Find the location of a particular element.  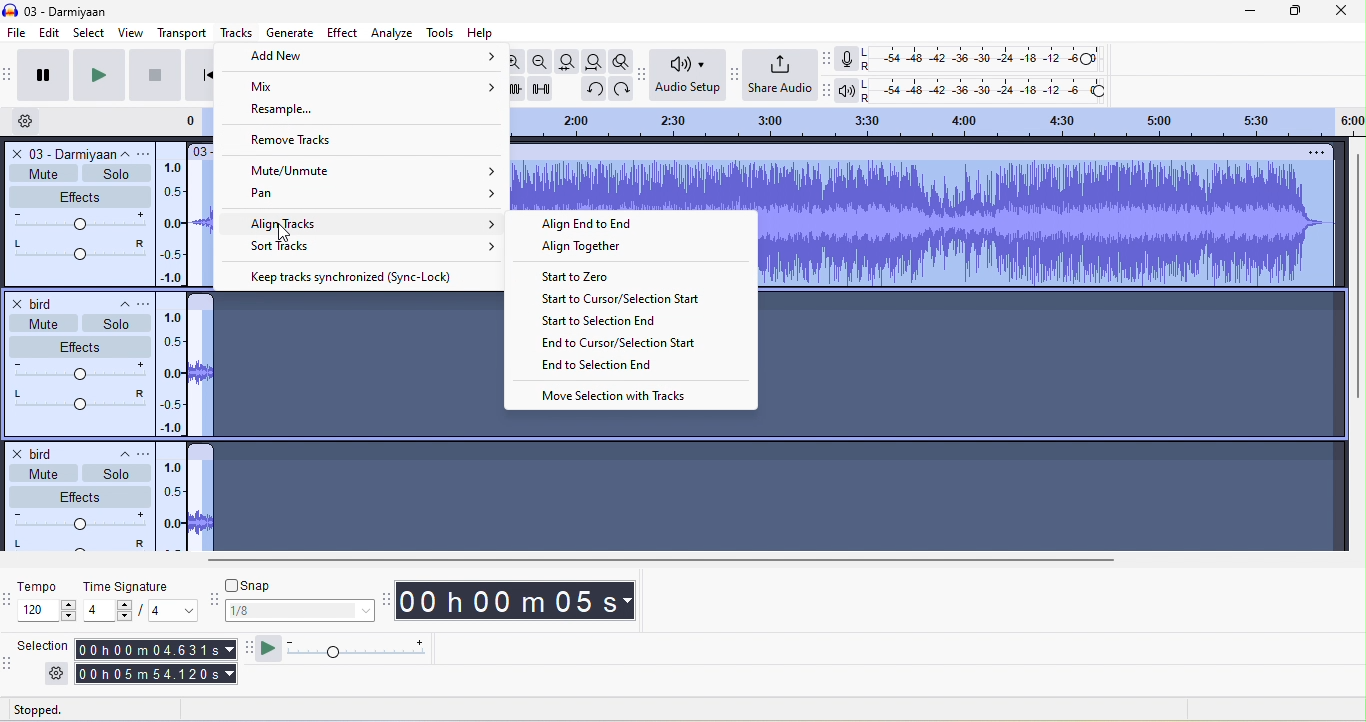

undo is located at coordinates (591, 88).